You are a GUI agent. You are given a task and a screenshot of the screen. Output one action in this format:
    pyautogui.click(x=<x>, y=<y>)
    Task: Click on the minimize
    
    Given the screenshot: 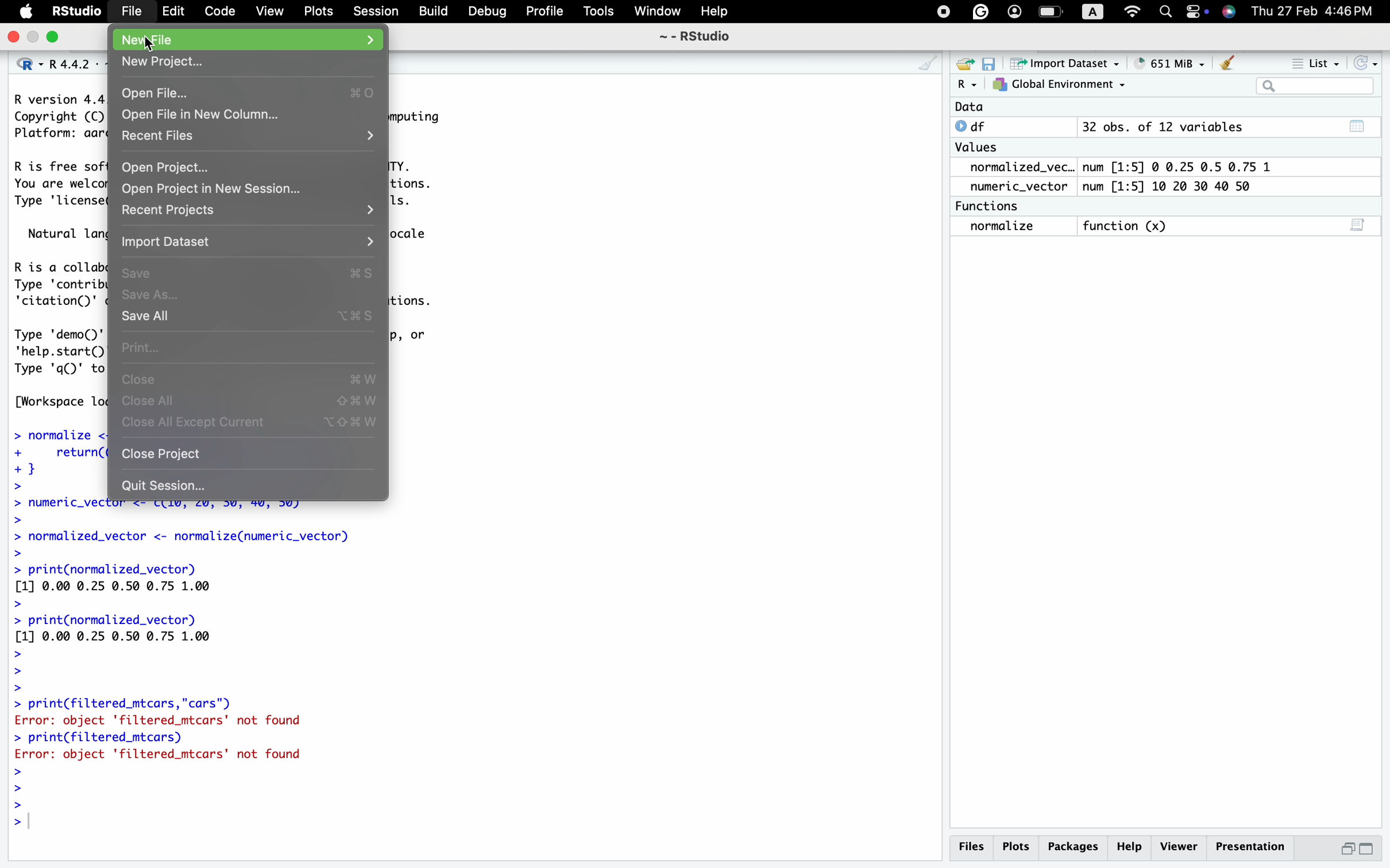 What is the action you would take?
    pyautogui.click(x=35, y=38)
    